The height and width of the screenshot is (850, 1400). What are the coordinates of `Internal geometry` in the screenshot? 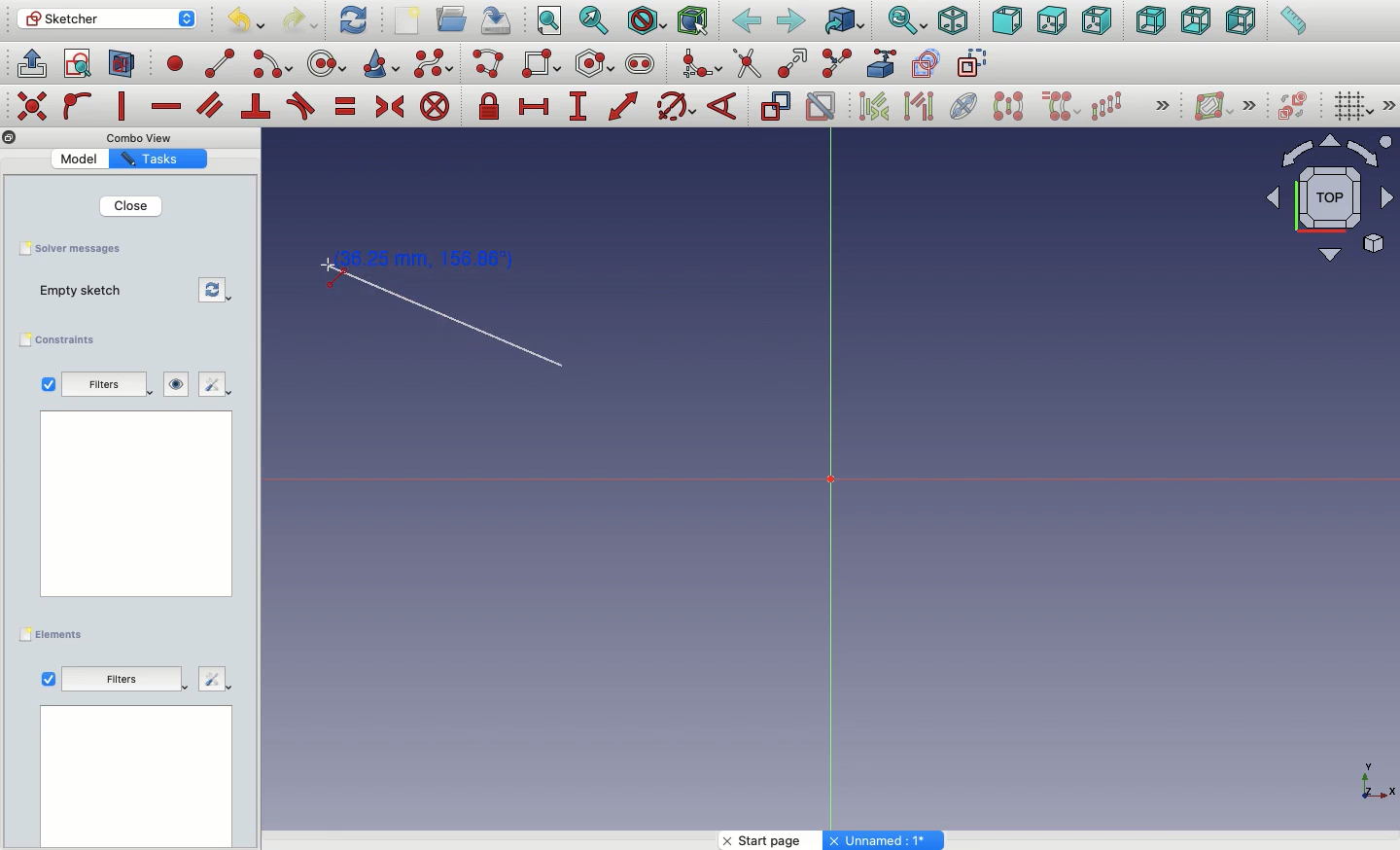 It's located at (965, 105).